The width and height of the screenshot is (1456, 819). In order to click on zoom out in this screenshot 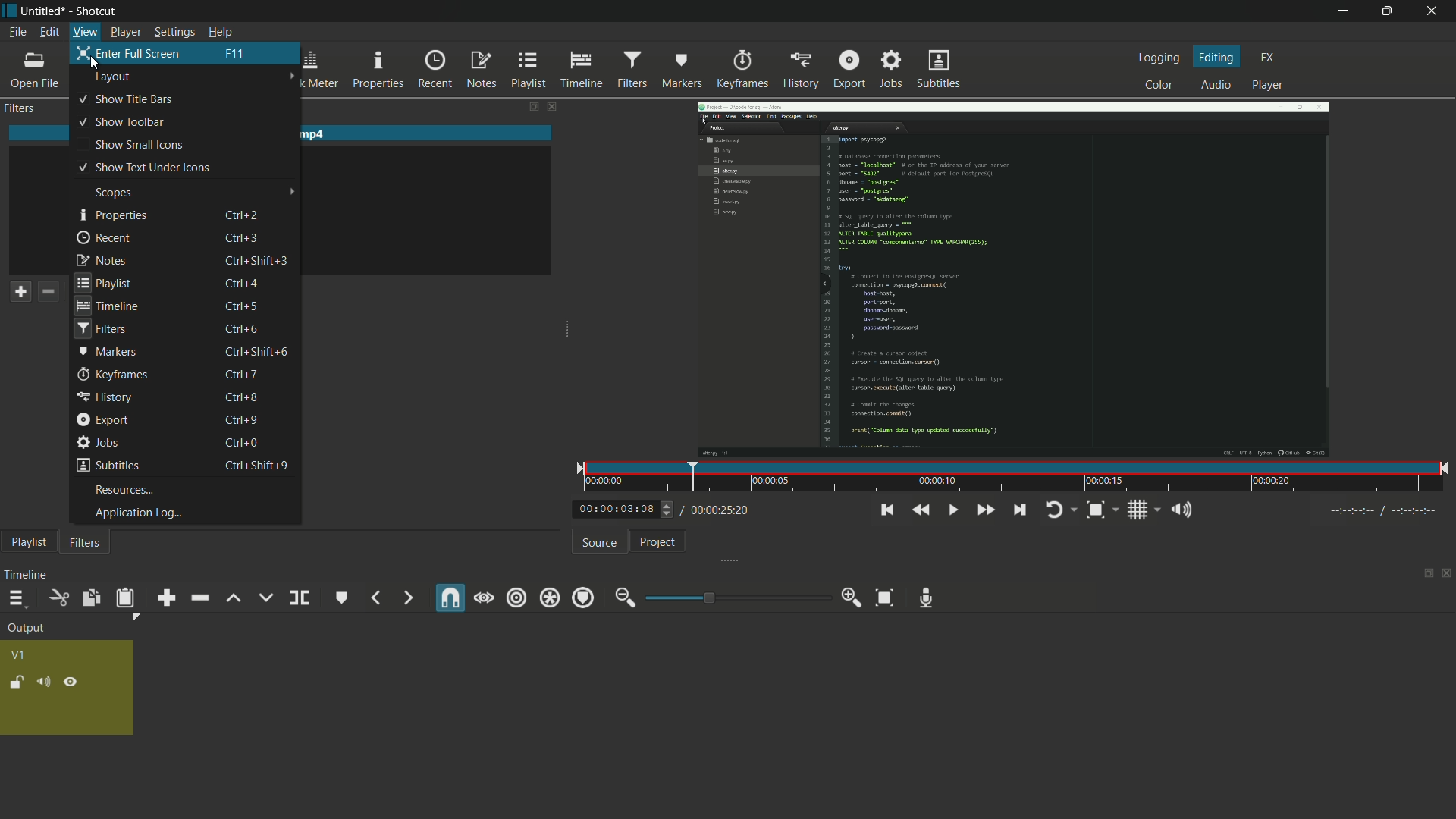, I will do `click(625, 599)`.